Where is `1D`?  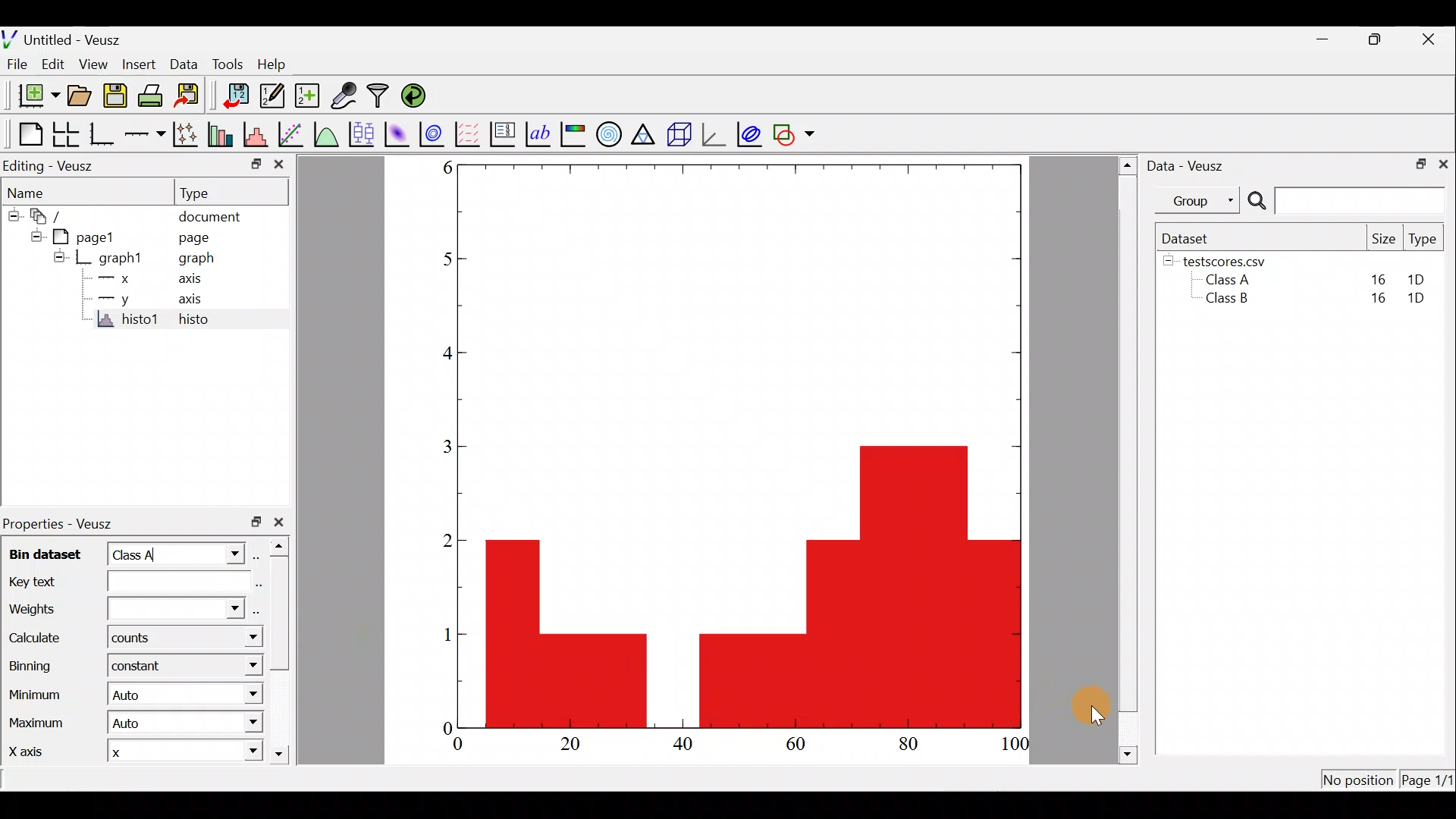
1D is located at coordinates (1423, 300).